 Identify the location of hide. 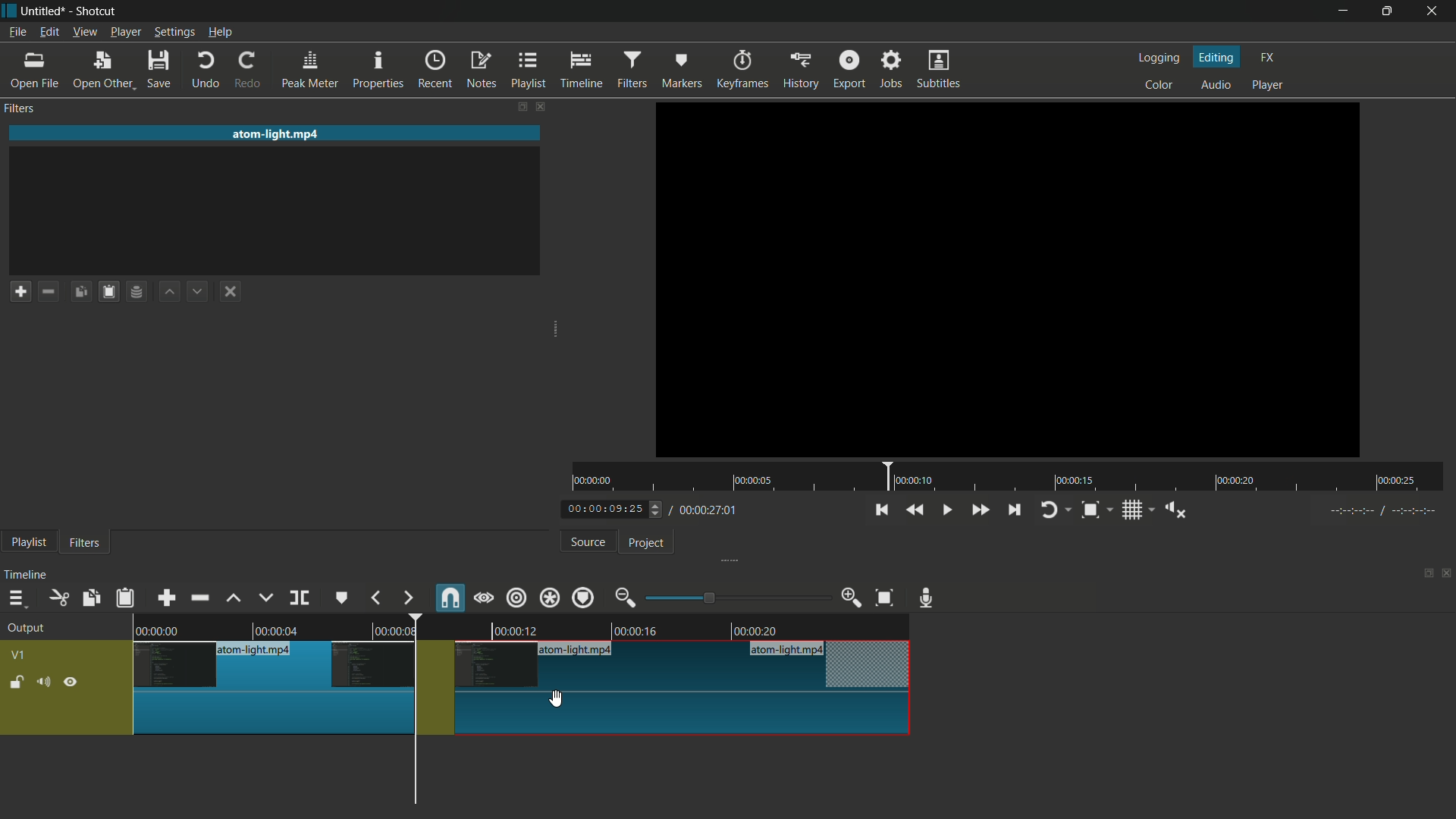
(72, 681).